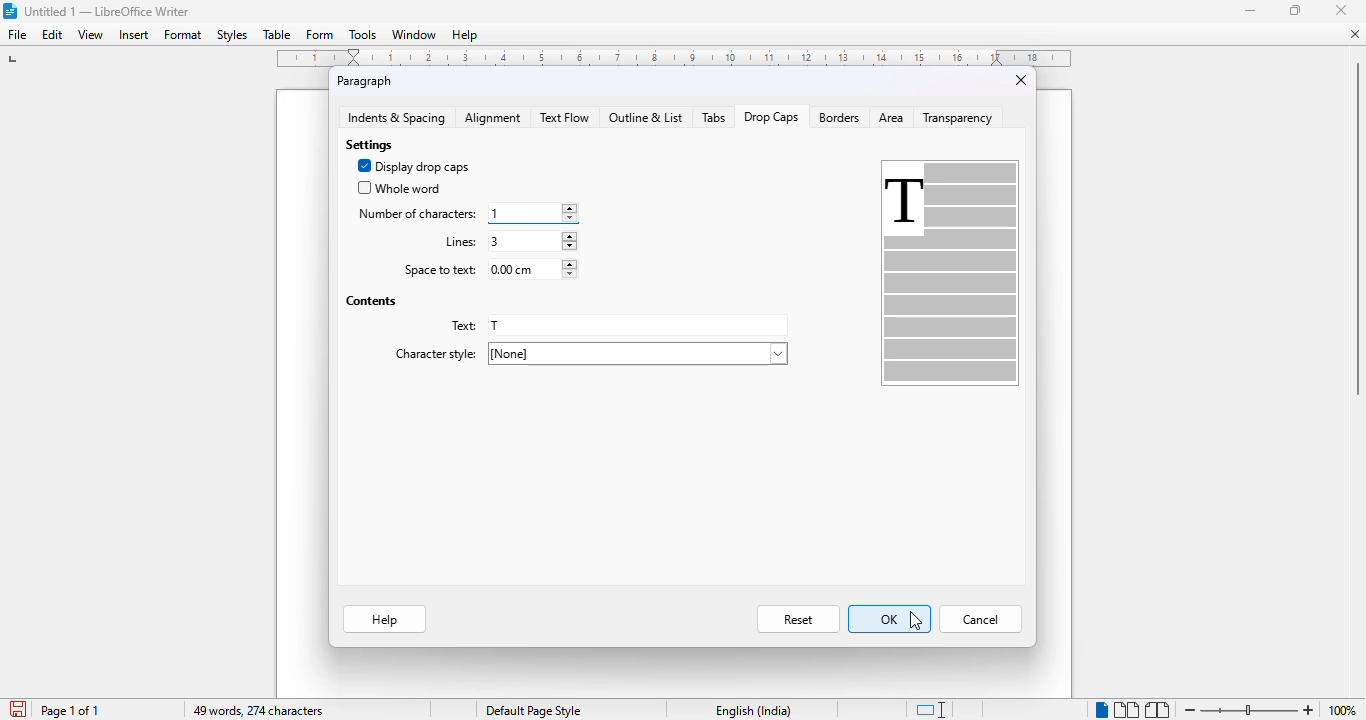 Image resolution: width=1366 pixels, height=720 pixels. What do you see at coordinates (277, 34) in the screenshot?
I see `table` at bounding box center [277, 34].